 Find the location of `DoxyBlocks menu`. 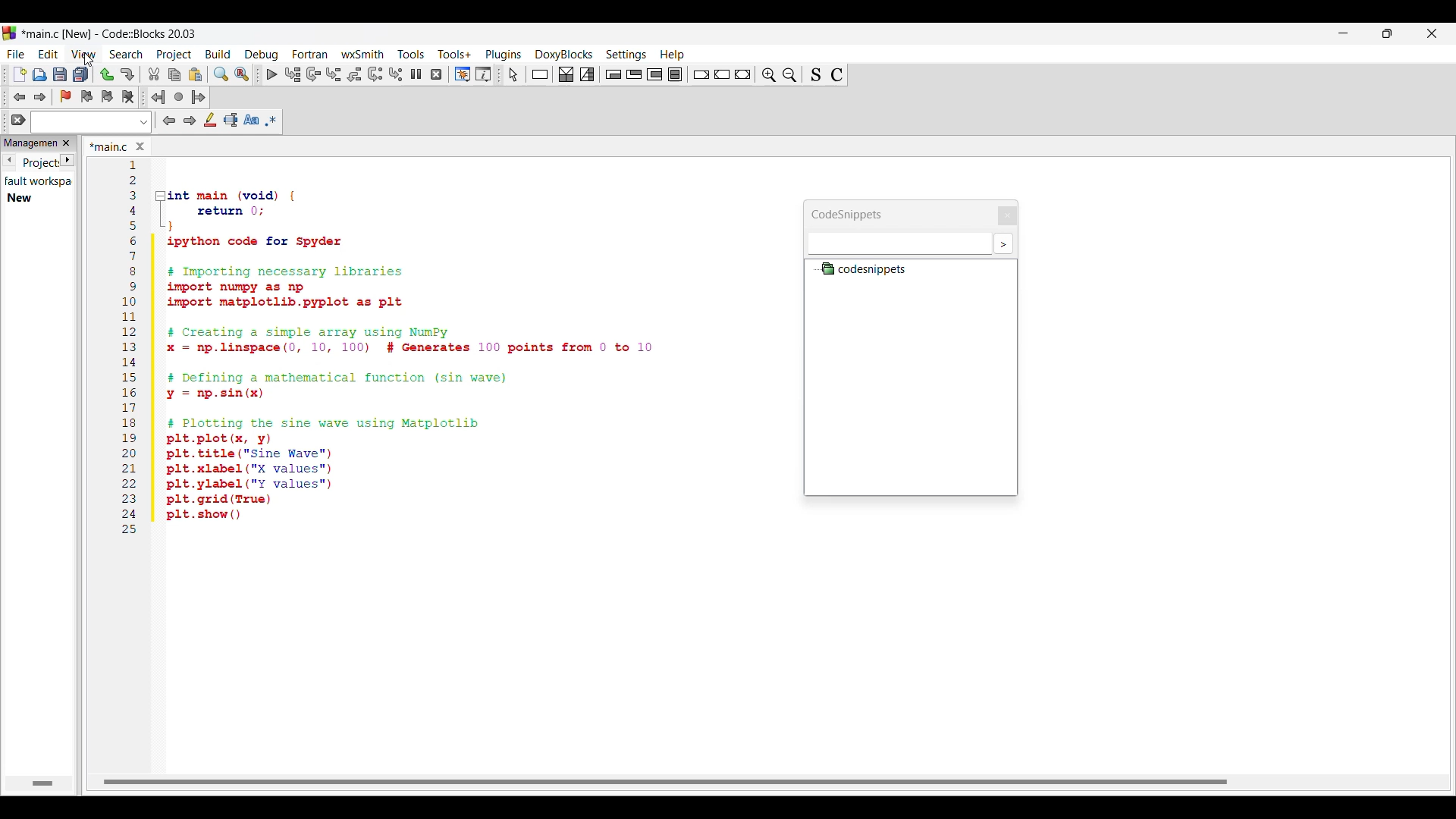

DoxyBlocks menu is located at coordinates (563, 55).